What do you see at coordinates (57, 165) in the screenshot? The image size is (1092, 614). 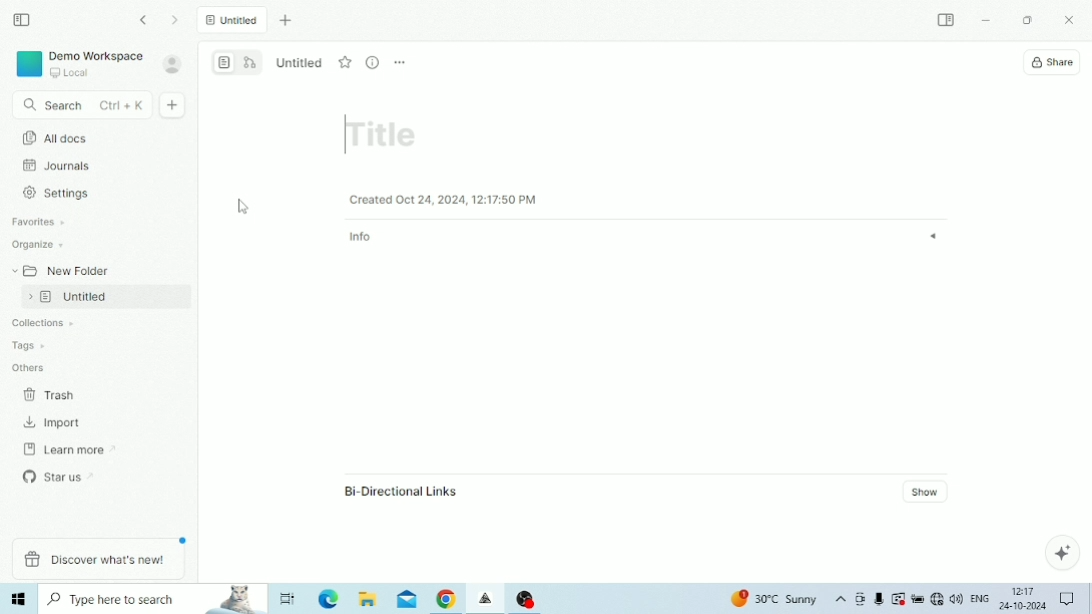 I see `Journals` at bounding box center [57, 165].